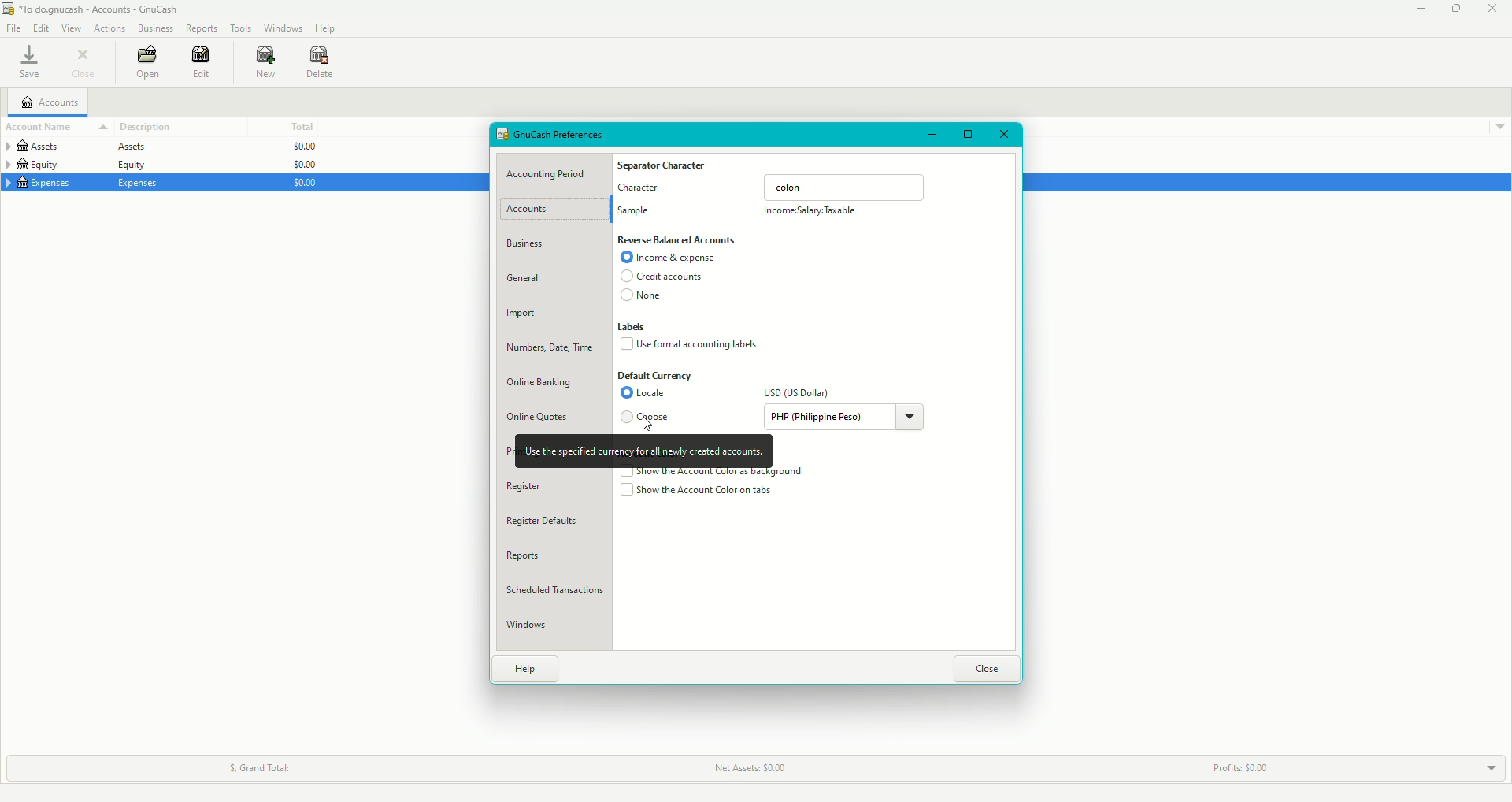  I want to click on Currency, so click(847, 417).